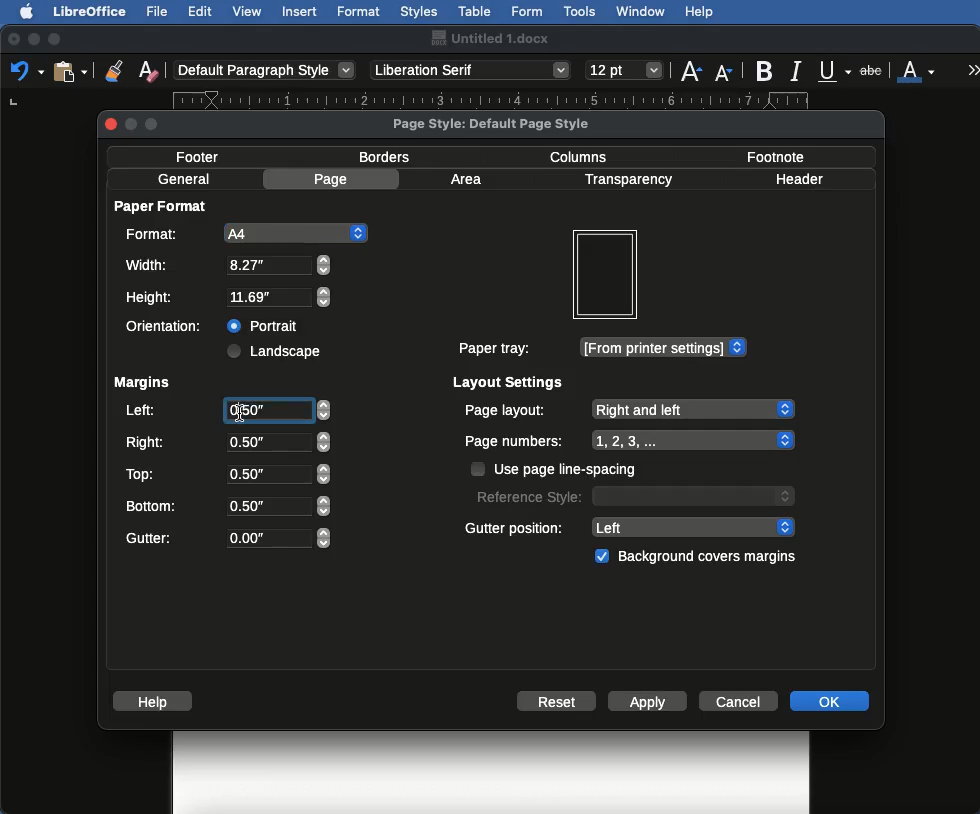  I want to click on Apply, so click(648, 703).